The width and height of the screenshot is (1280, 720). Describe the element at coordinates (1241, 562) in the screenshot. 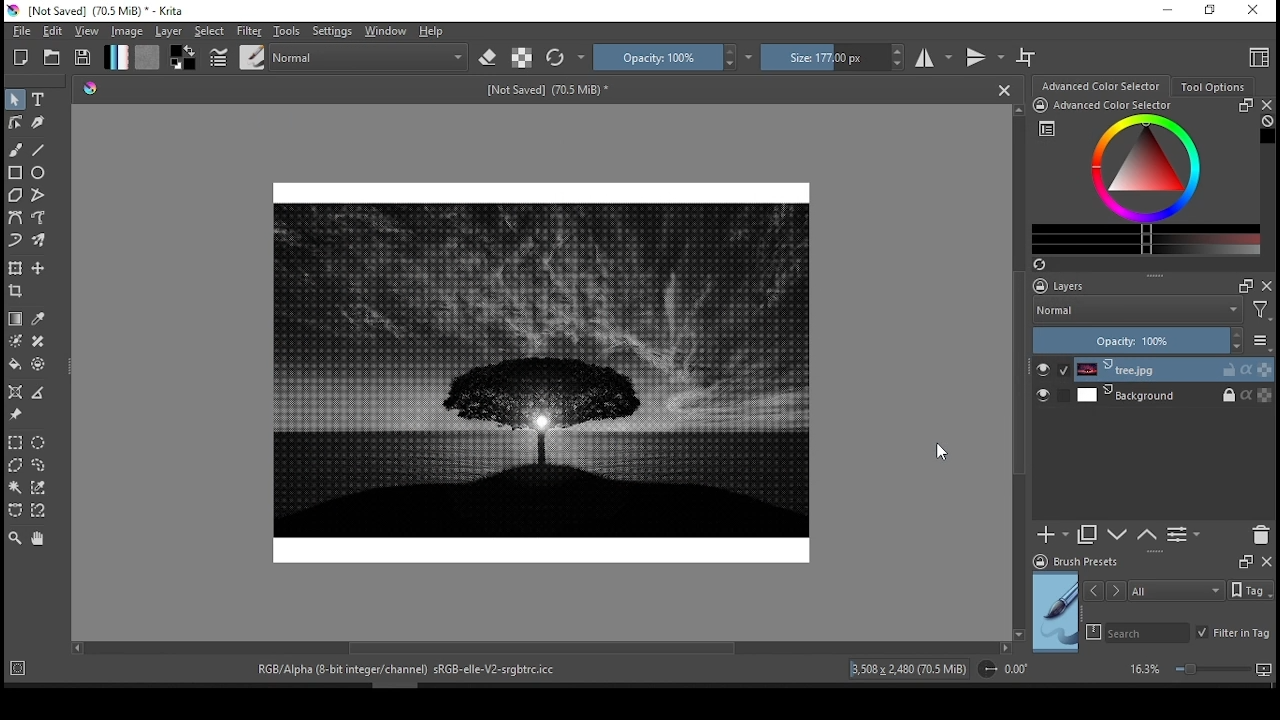

I see `Frame` at that location.